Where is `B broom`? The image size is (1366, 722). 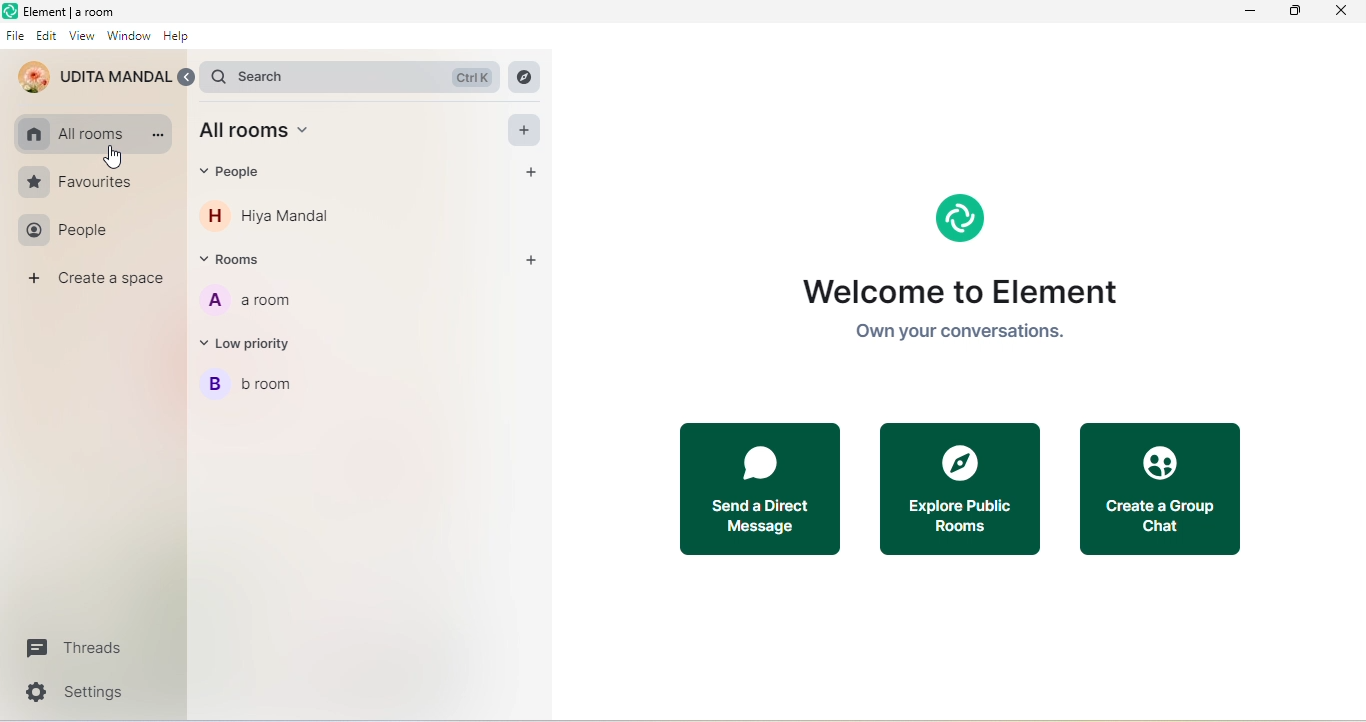
B broom is located at coordinates (262, 388).